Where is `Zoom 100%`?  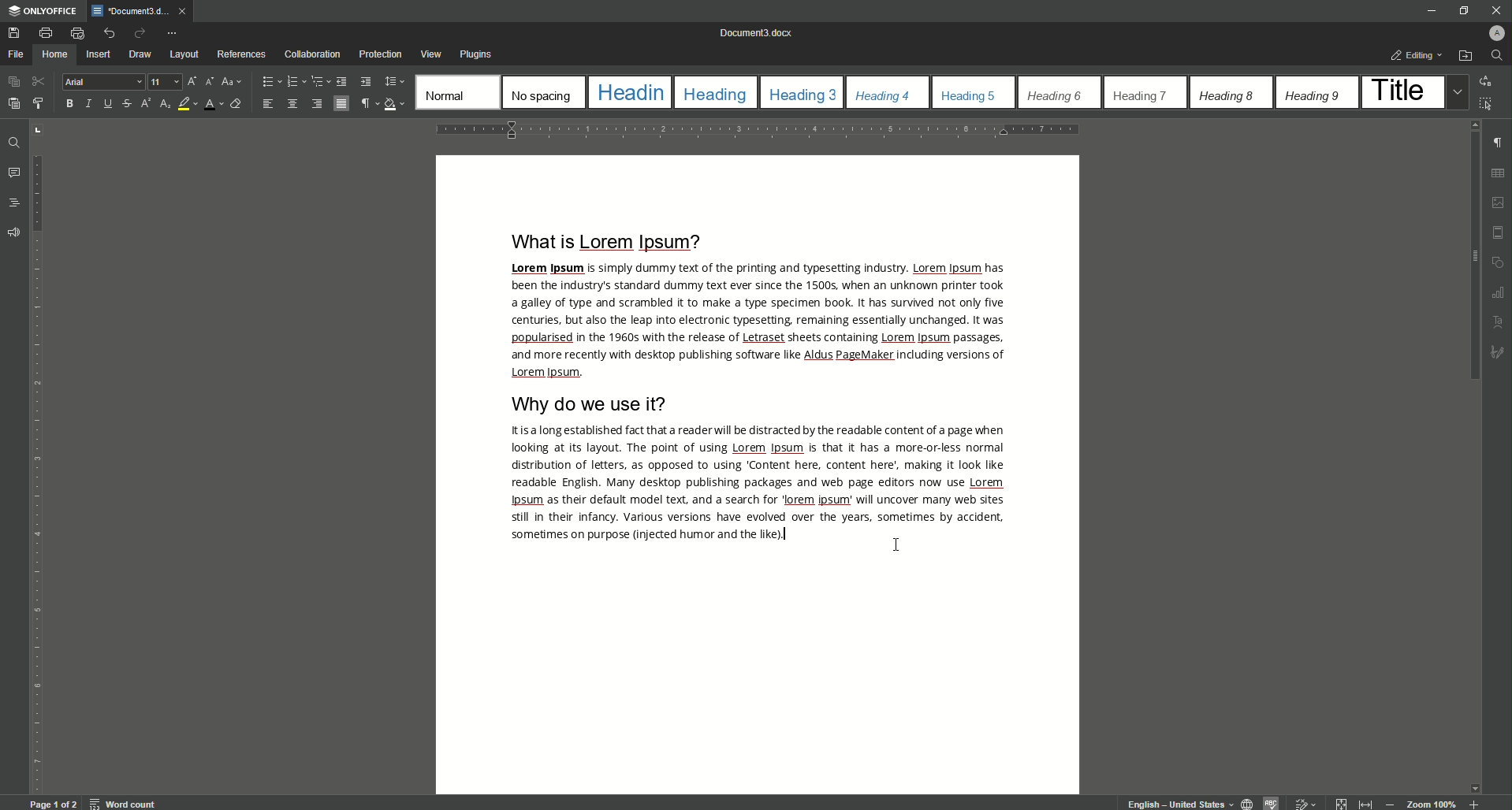 Zoom 100% is located at coordinates (1431, 804).